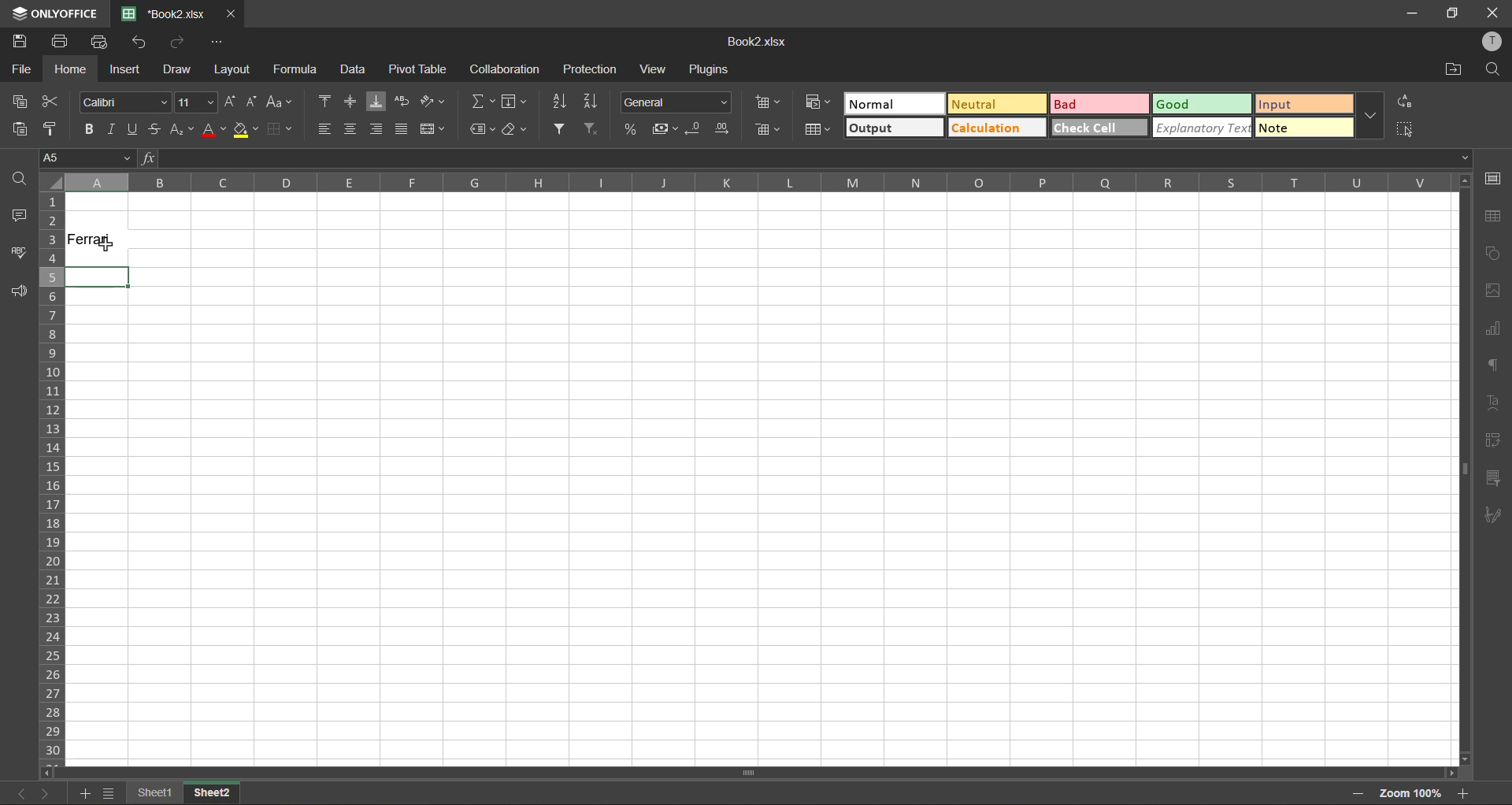 The image size is (1512, 805). What do you see at coordinates (1358, 792) in the screenshot?
I see `zoom out` at bounding box center [1358, 792].